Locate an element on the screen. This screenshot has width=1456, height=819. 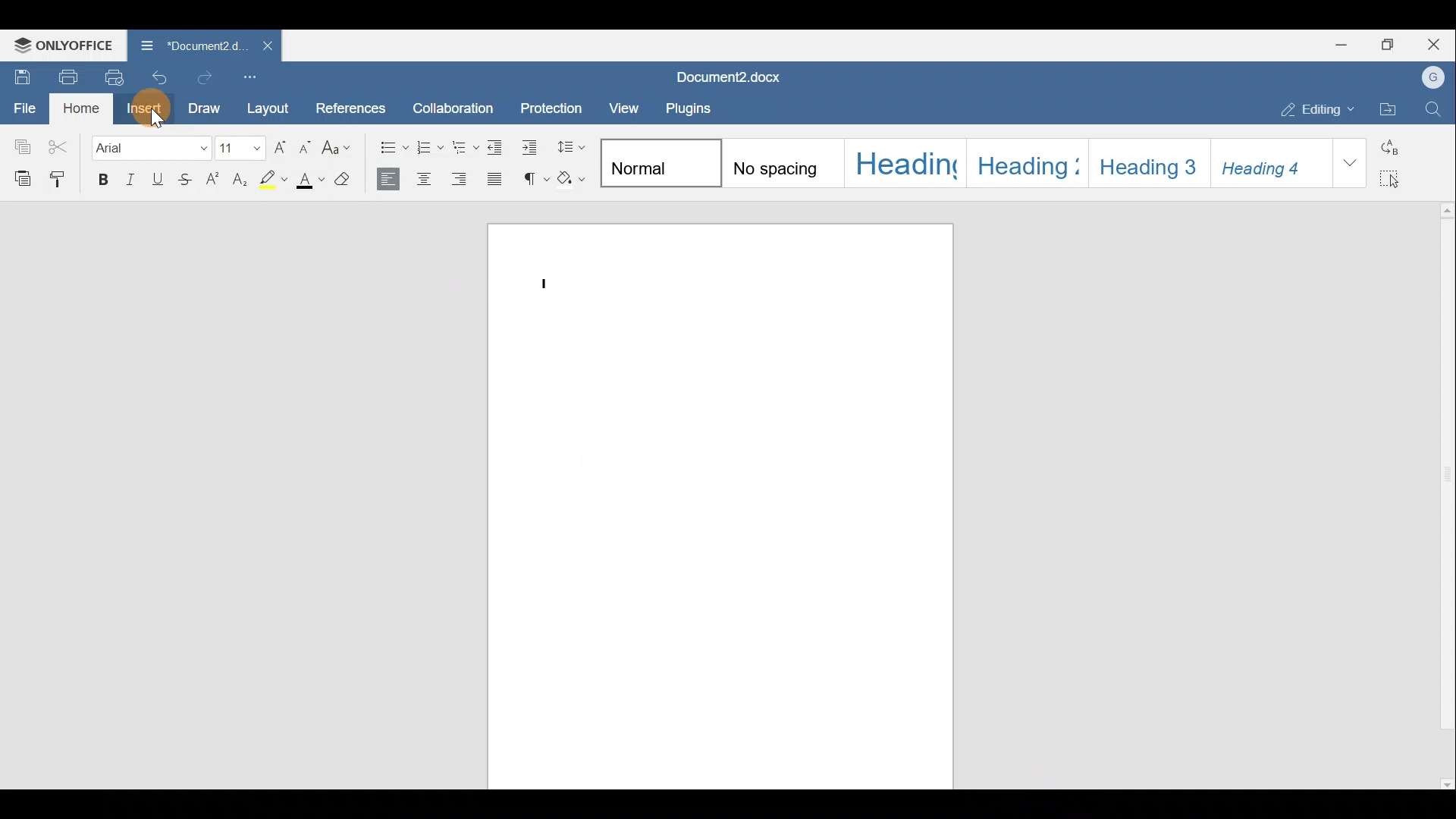
Change case is located at coordinates (337, 149).